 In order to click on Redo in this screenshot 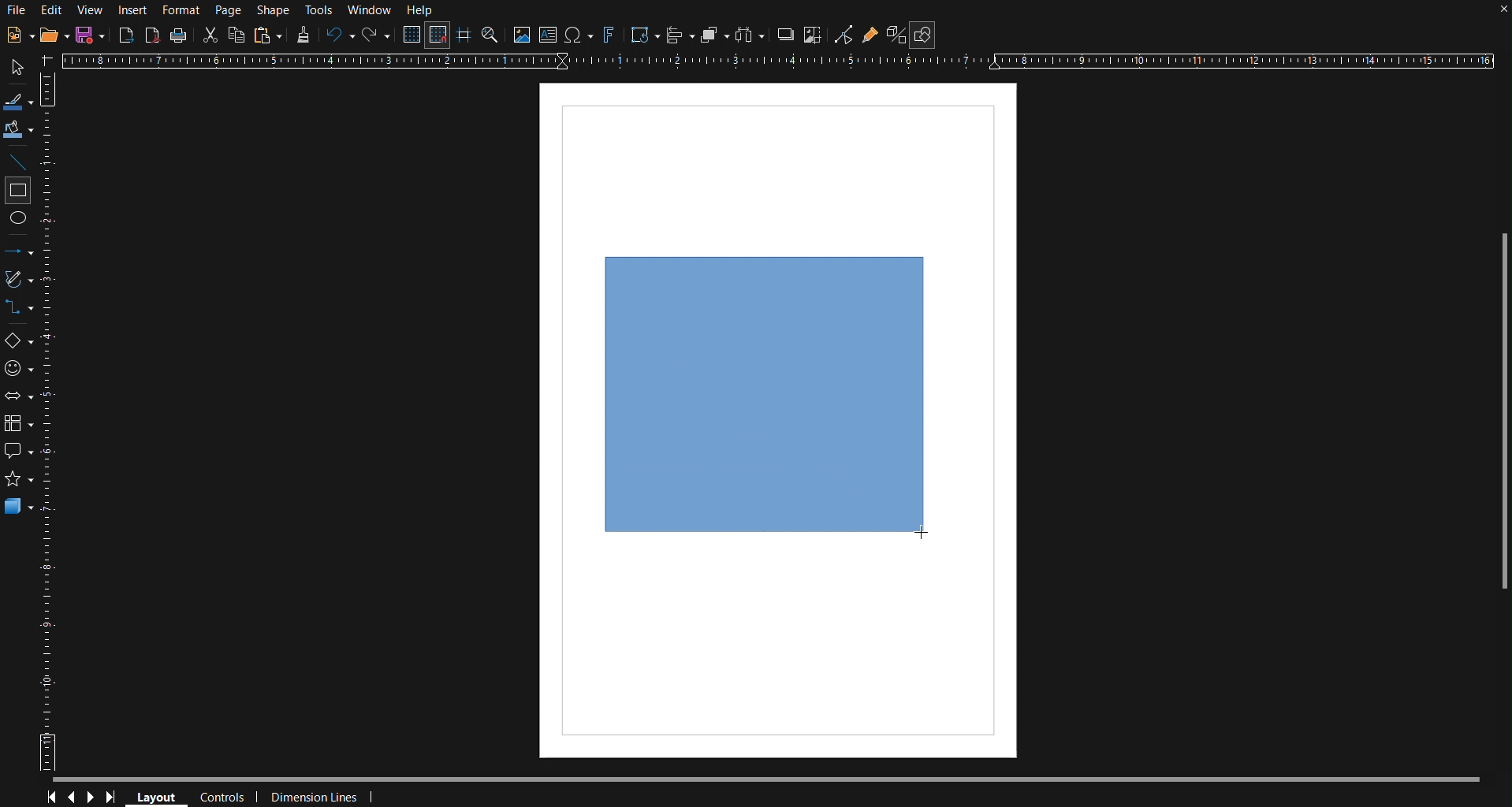, I will do `click(375, 35)`.